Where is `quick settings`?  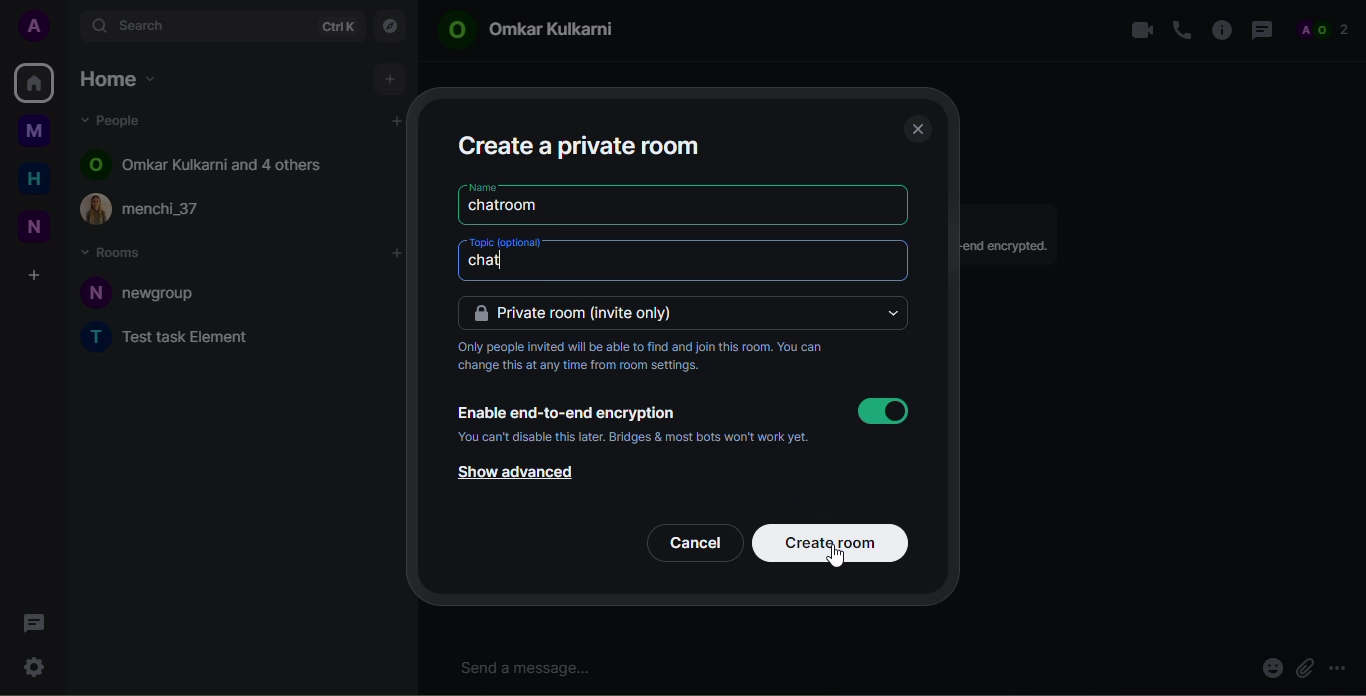 quick settings is located at coordinates (33, 664).